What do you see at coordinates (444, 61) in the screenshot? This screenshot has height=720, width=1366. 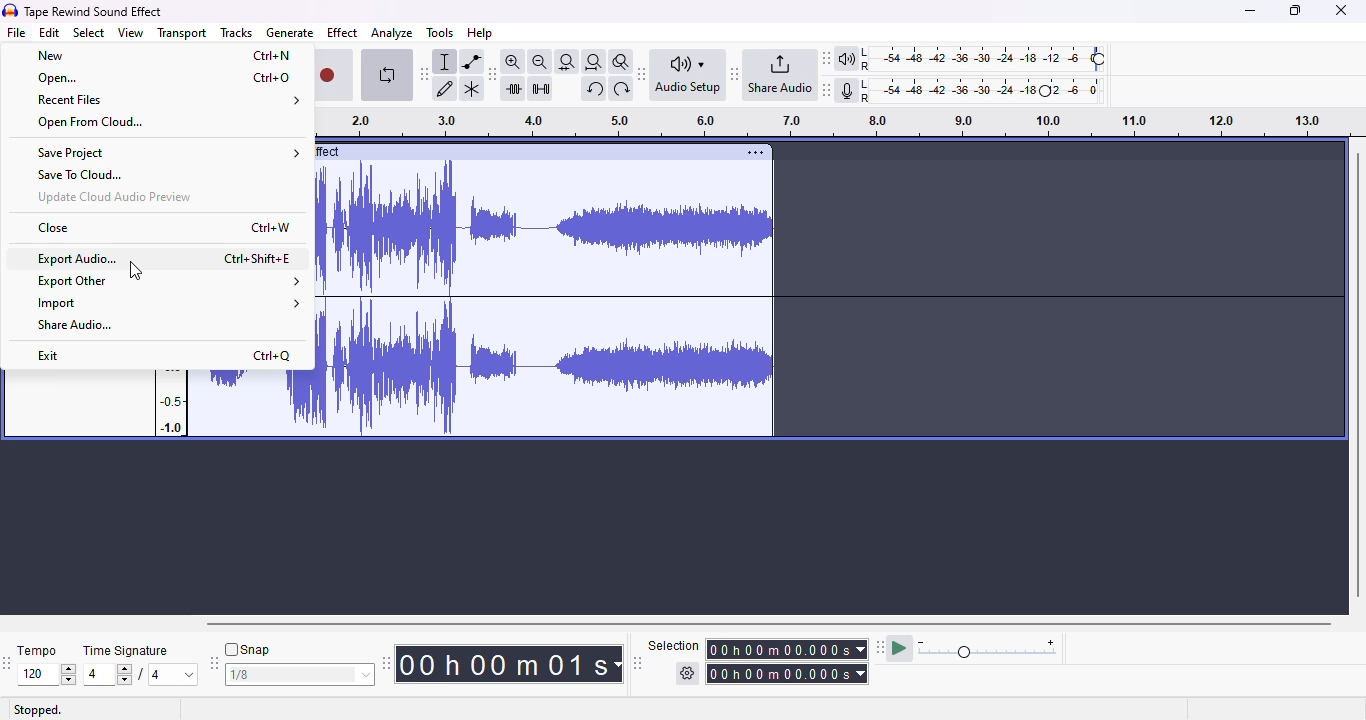 I see `selection tool` at bounding box center [444, 61].